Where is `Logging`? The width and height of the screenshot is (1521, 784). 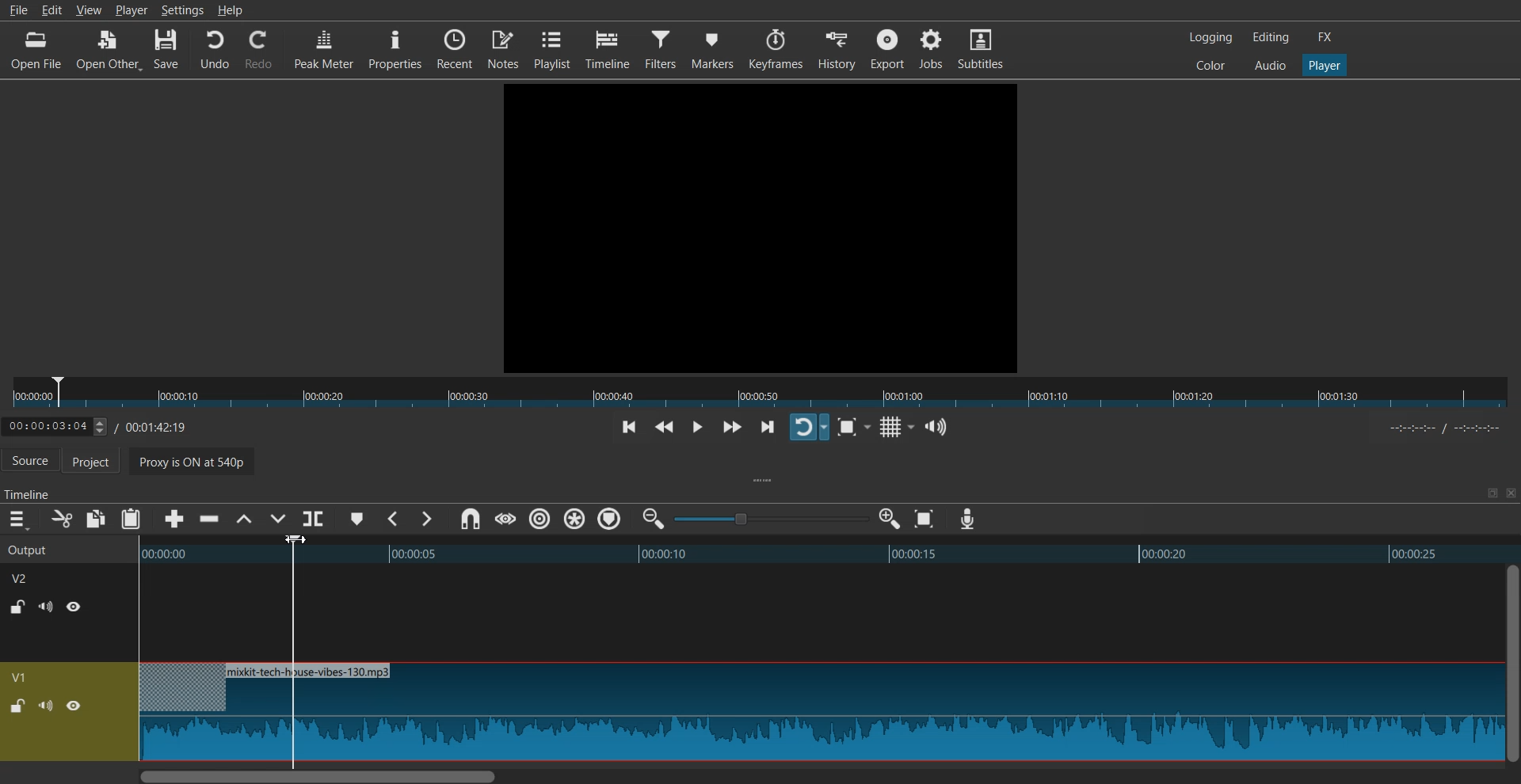 Logging is located at coordinates (1211, 37).